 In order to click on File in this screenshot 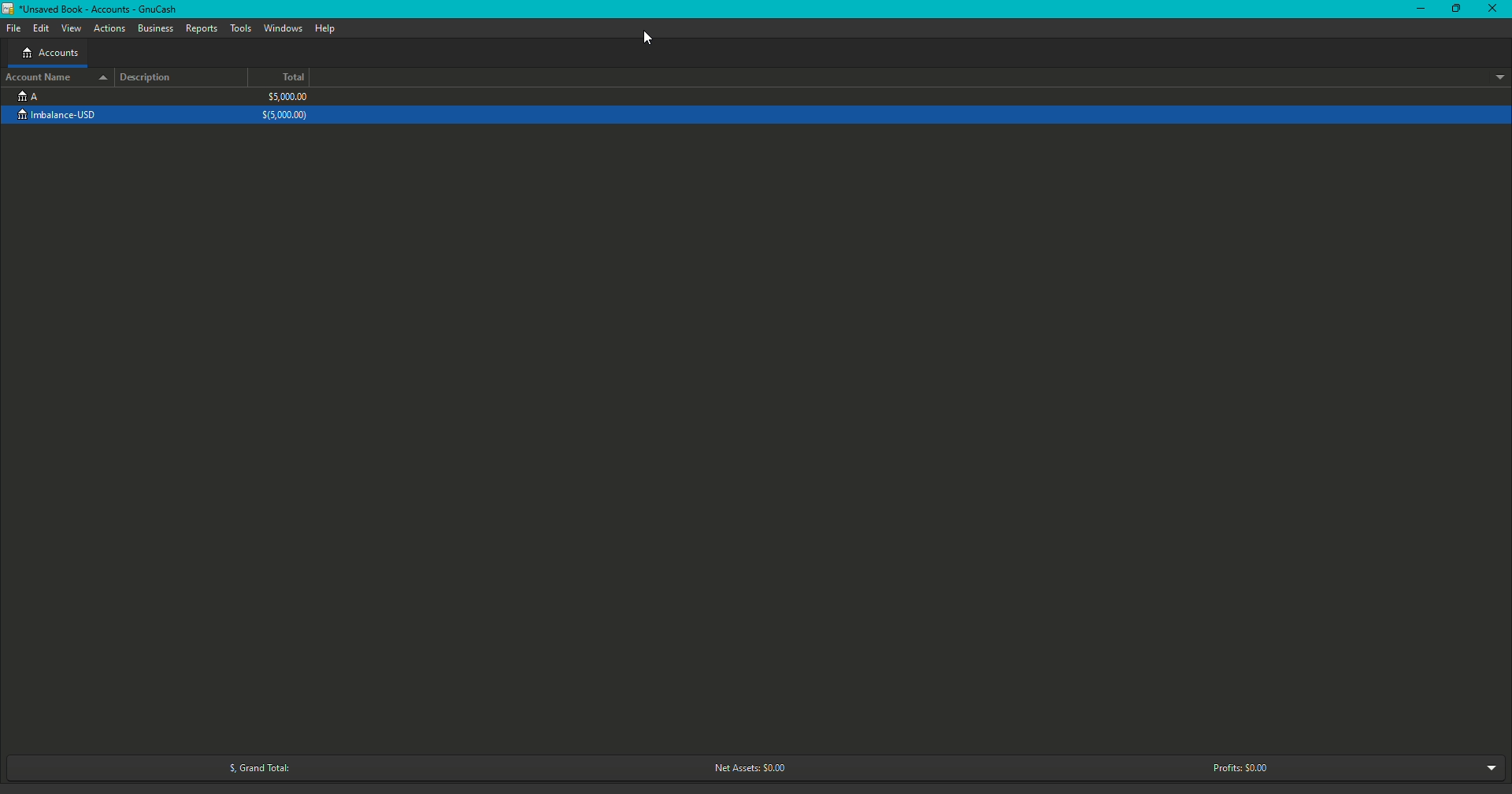, I will do `click(17, 28)`.